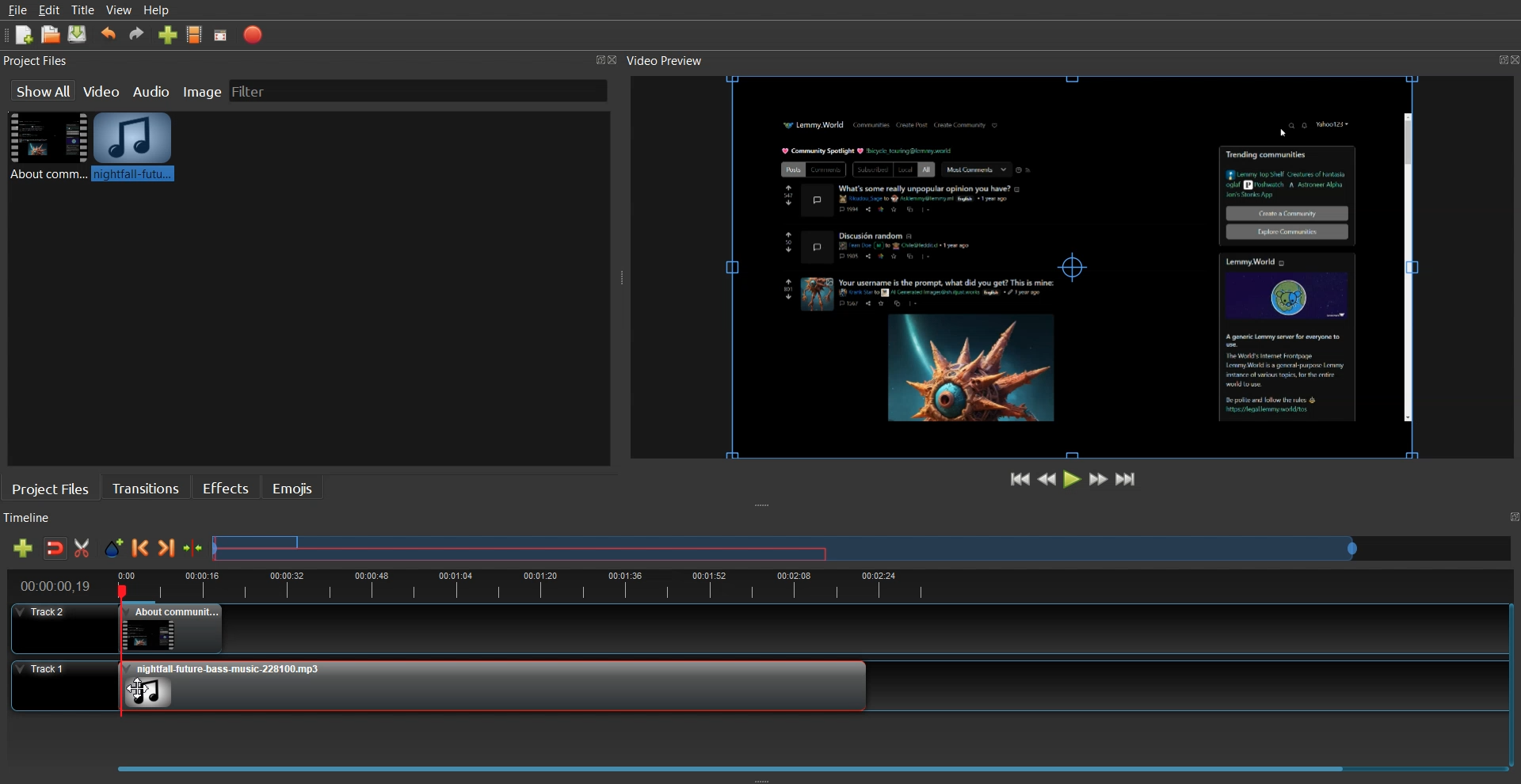 The image size is (1521, 784). I want to click on Video Preview, so click(673, 61).